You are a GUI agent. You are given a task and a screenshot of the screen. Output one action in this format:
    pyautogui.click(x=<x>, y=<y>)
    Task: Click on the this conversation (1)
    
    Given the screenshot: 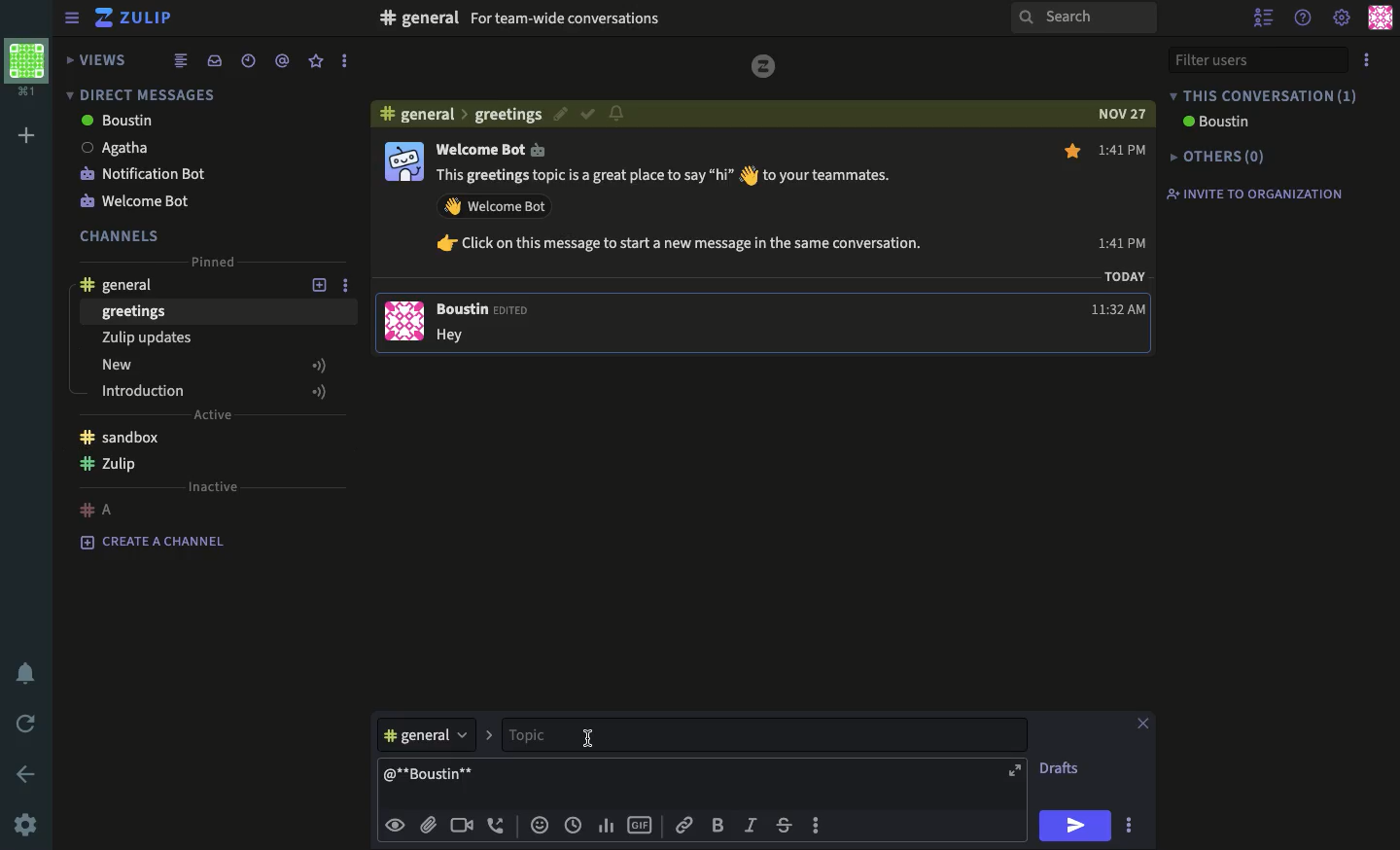 What is the action you would take?
    pyautogui.click(x=1264, y=95)
    